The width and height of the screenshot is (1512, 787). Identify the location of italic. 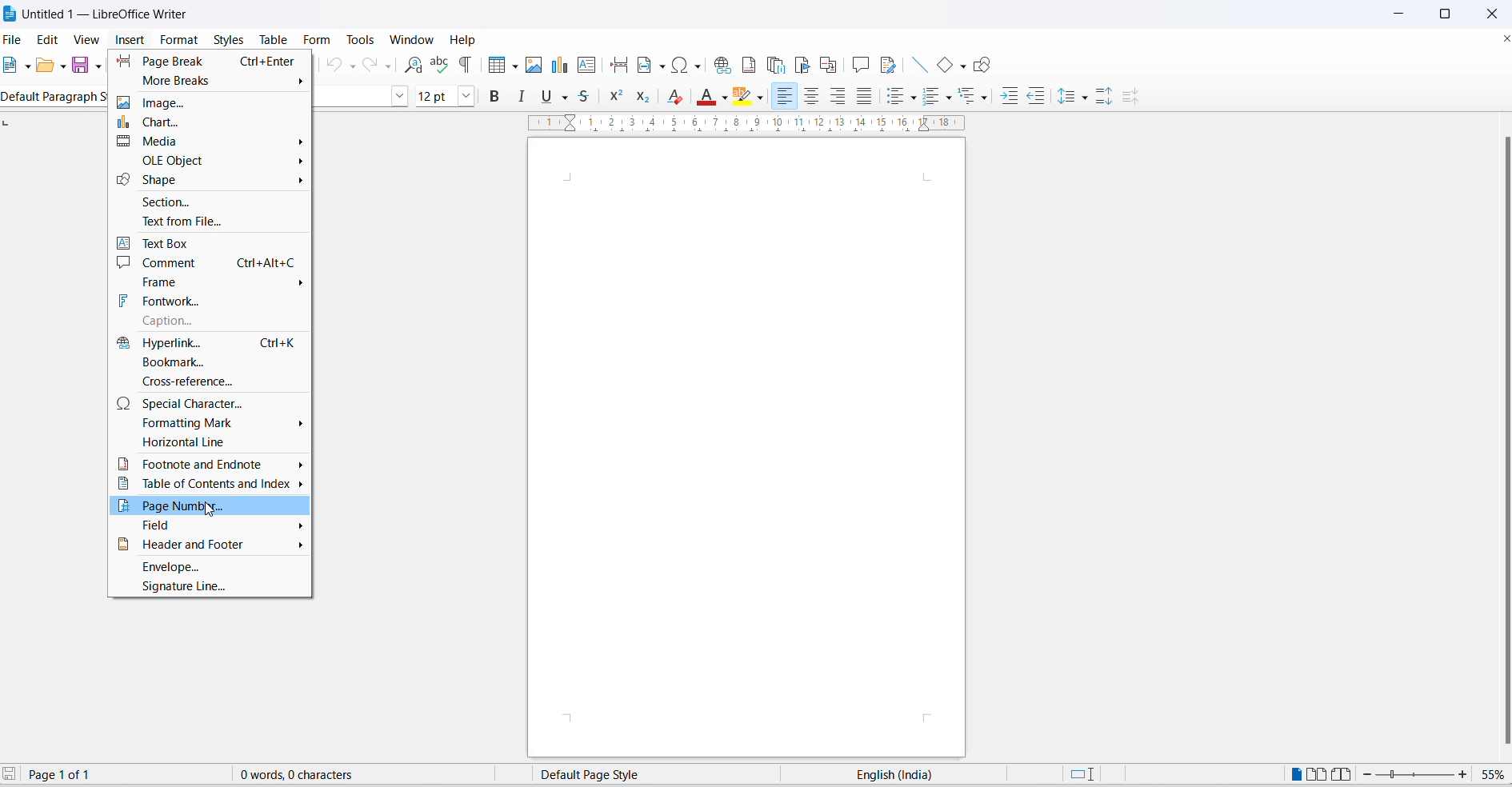
(522, 95).